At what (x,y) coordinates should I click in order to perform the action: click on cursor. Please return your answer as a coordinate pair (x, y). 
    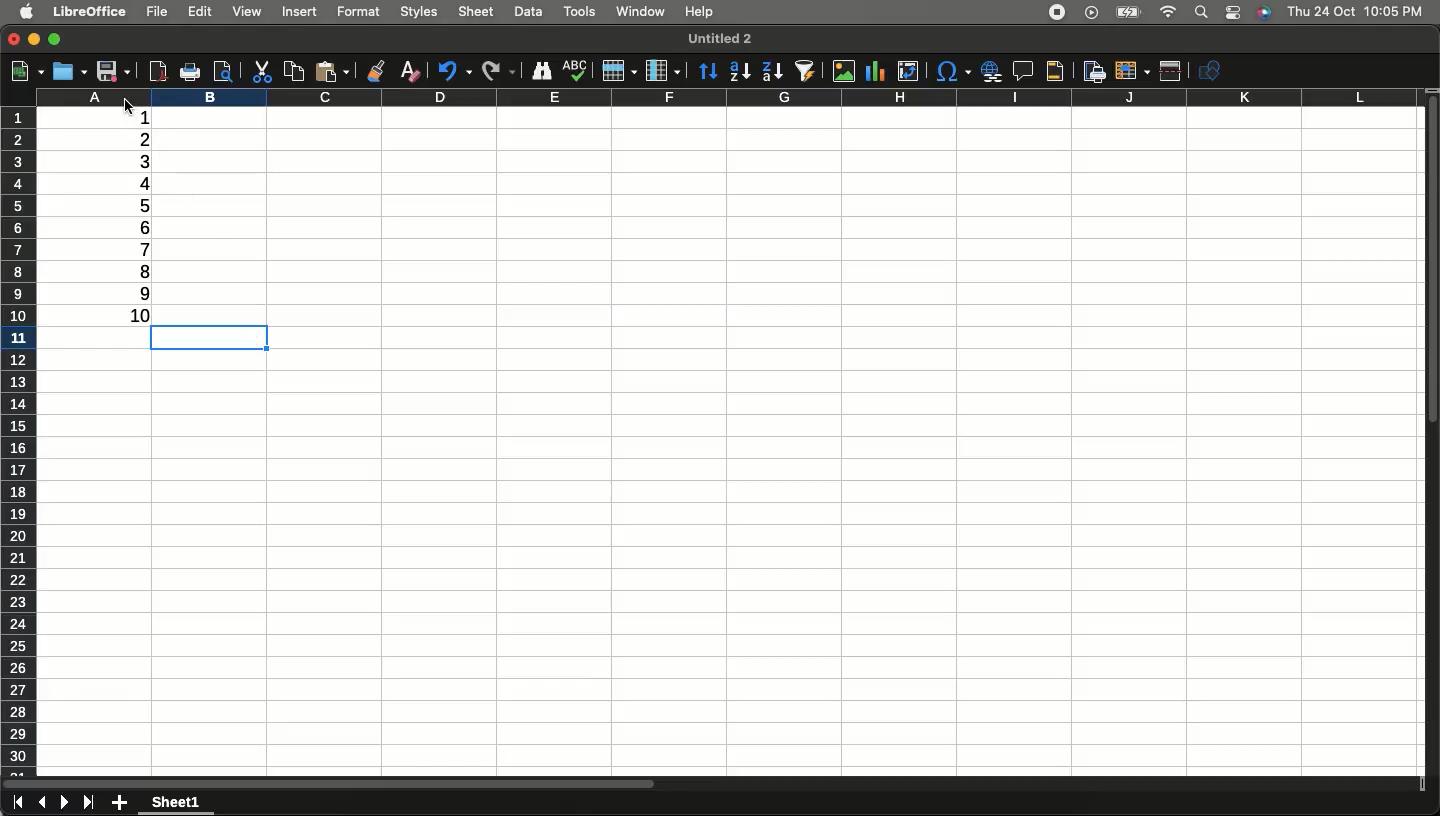
    Looking at the image, I should click on (130, 107).